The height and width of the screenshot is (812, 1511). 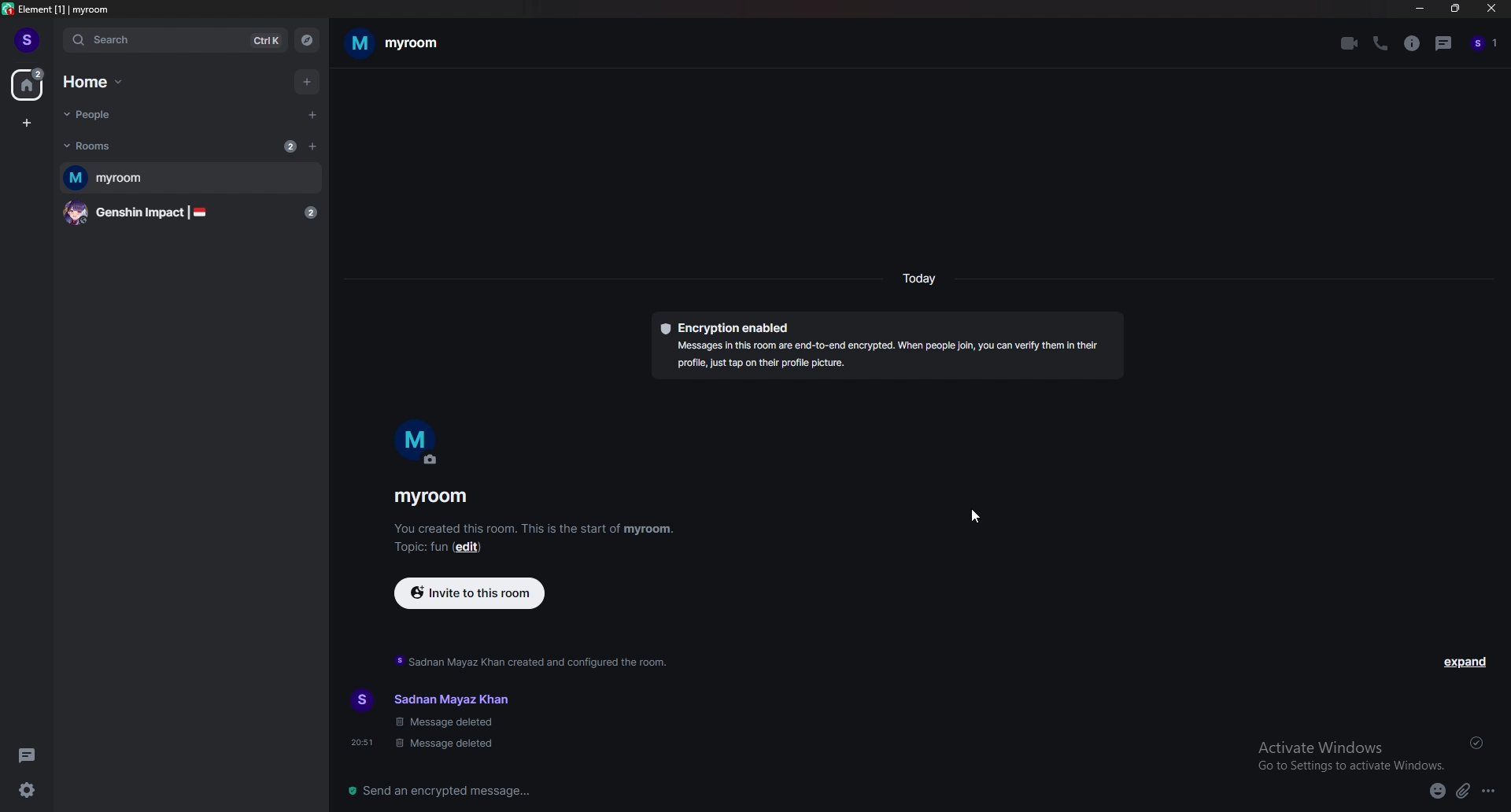 What do you see at coordinates (95, 82) in the screenshot?
I see `home` at bounding box center [95, 82].